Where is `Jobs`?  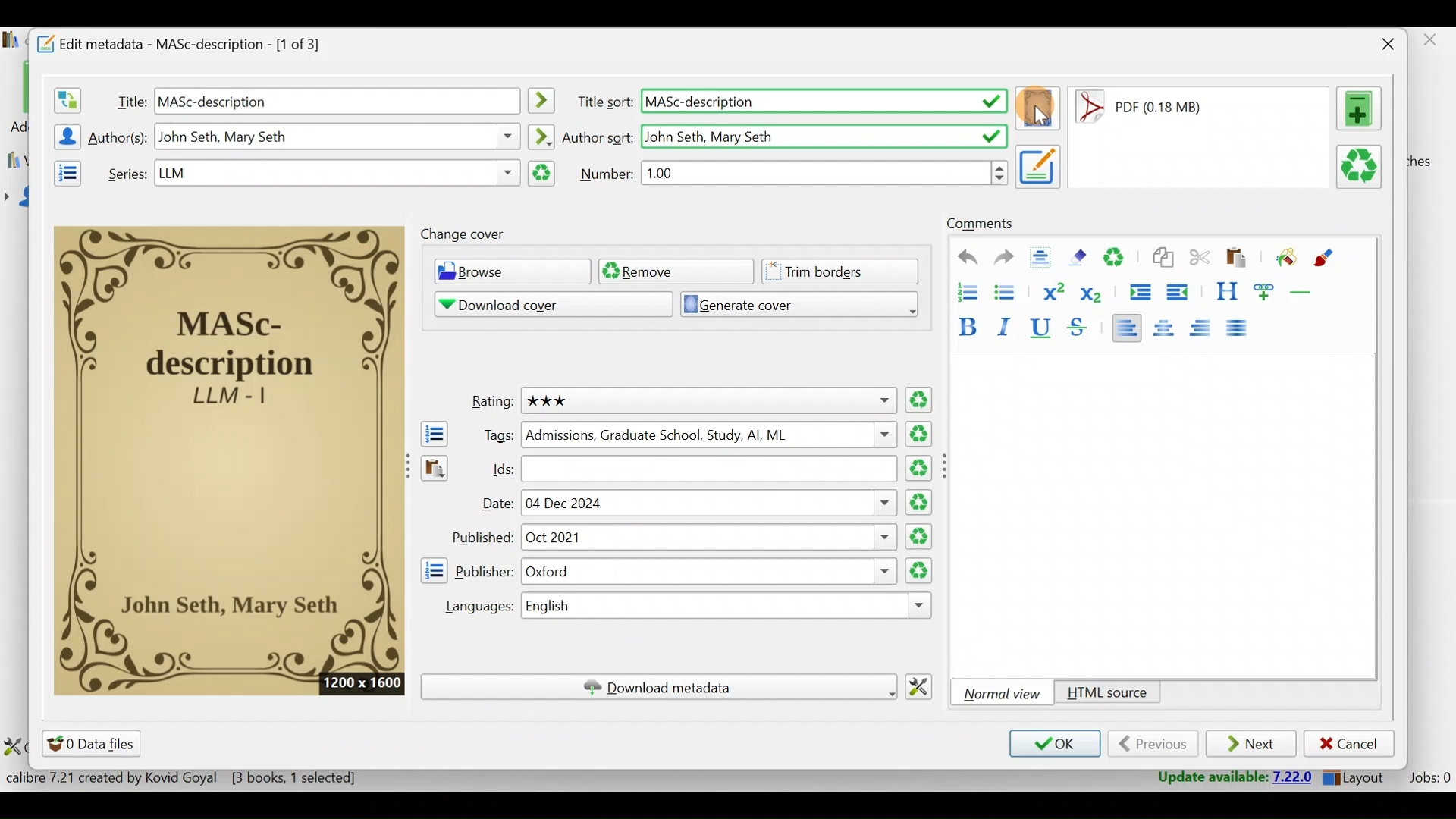
Jobs is located at coordinates (1428, 780).